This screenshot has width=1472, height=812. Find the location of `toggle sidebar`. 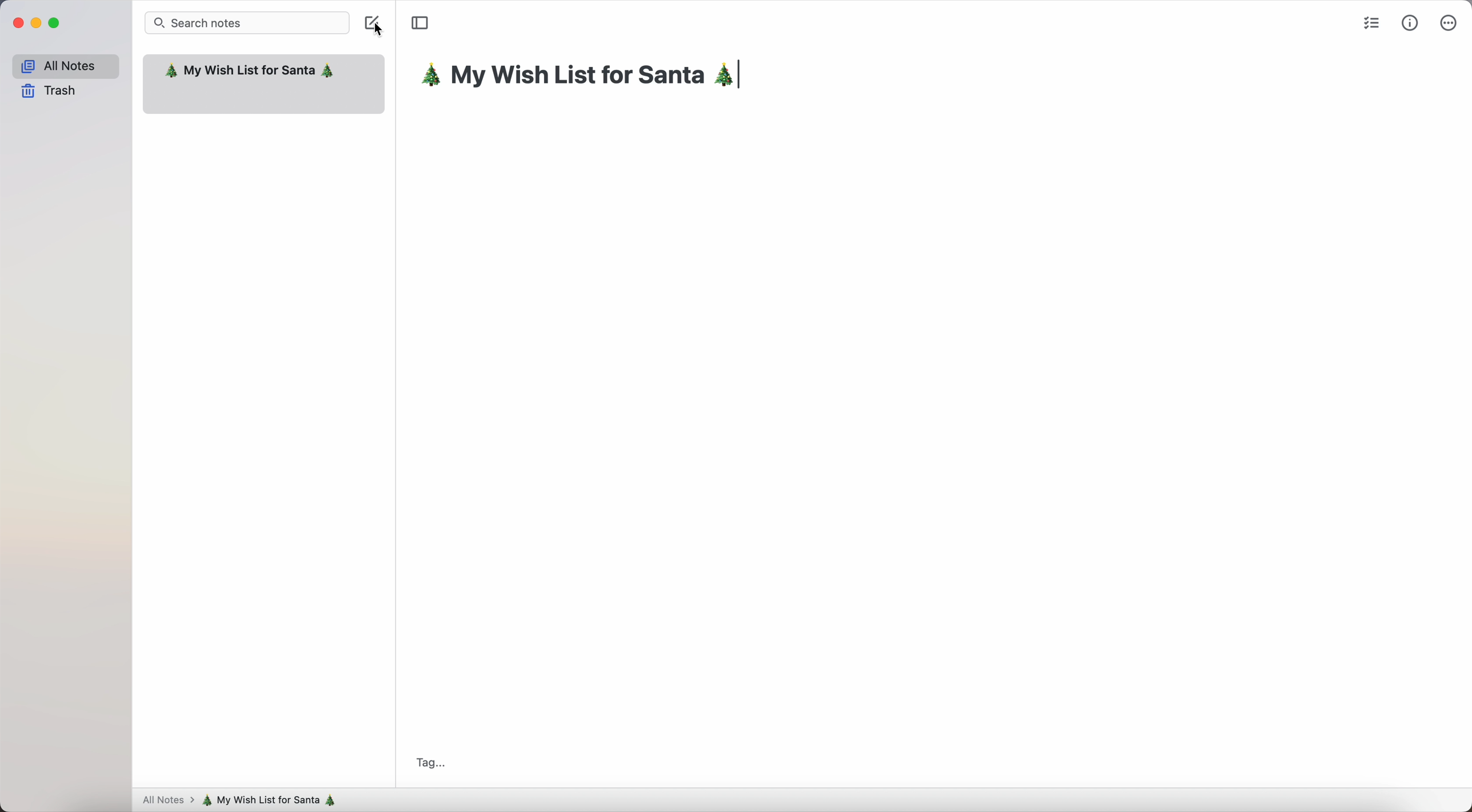

toggle sidebar is located at coordinates (419, 23).